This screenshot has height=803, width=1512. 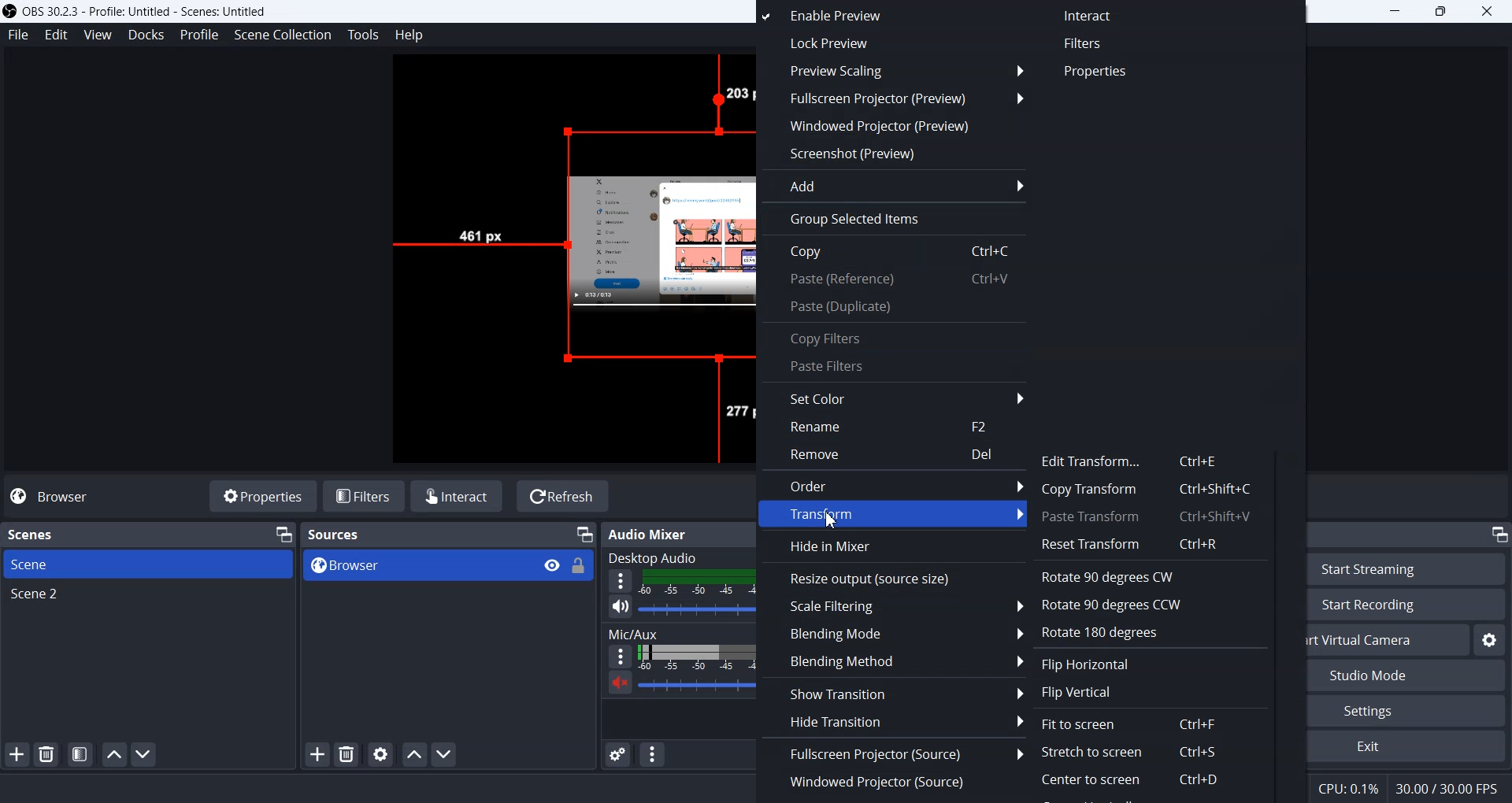 I want to click on Windowed Projector(Sources), so click(x=893, y=785).